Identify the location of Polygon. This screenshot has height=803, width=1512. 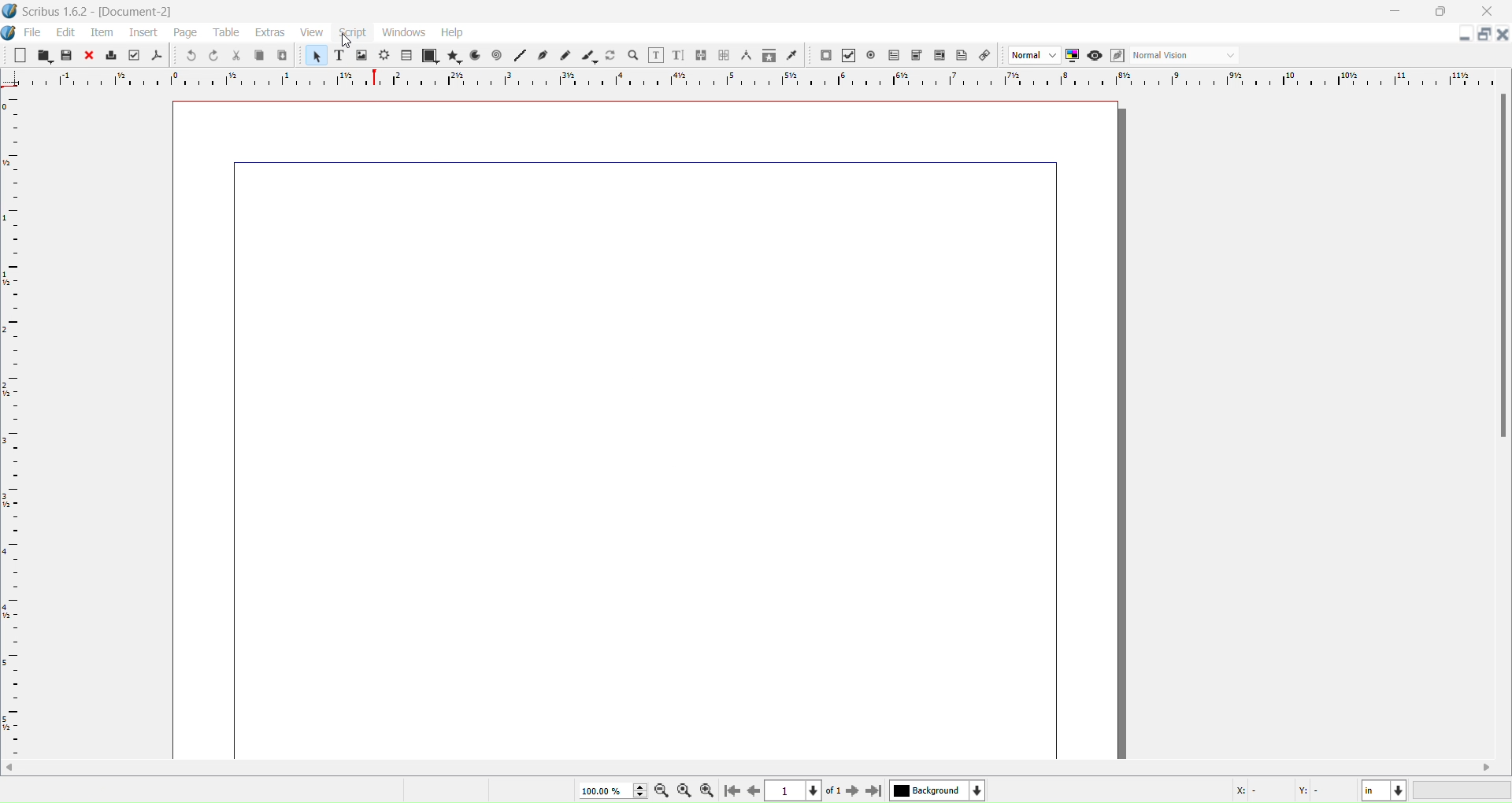
(455, 56).